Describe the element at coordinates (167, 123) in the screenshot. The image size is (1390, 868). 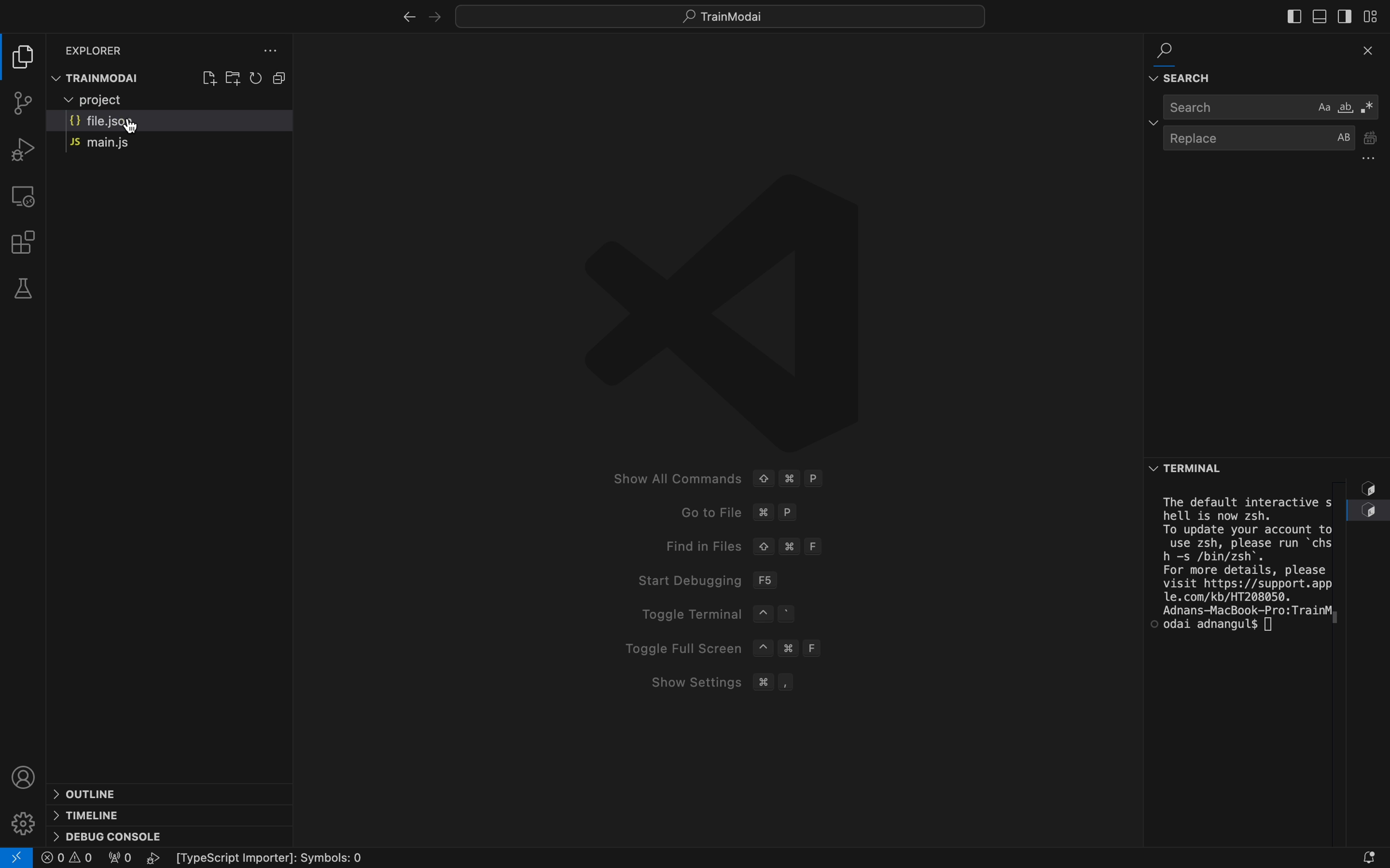
I see `file.json` at that location.